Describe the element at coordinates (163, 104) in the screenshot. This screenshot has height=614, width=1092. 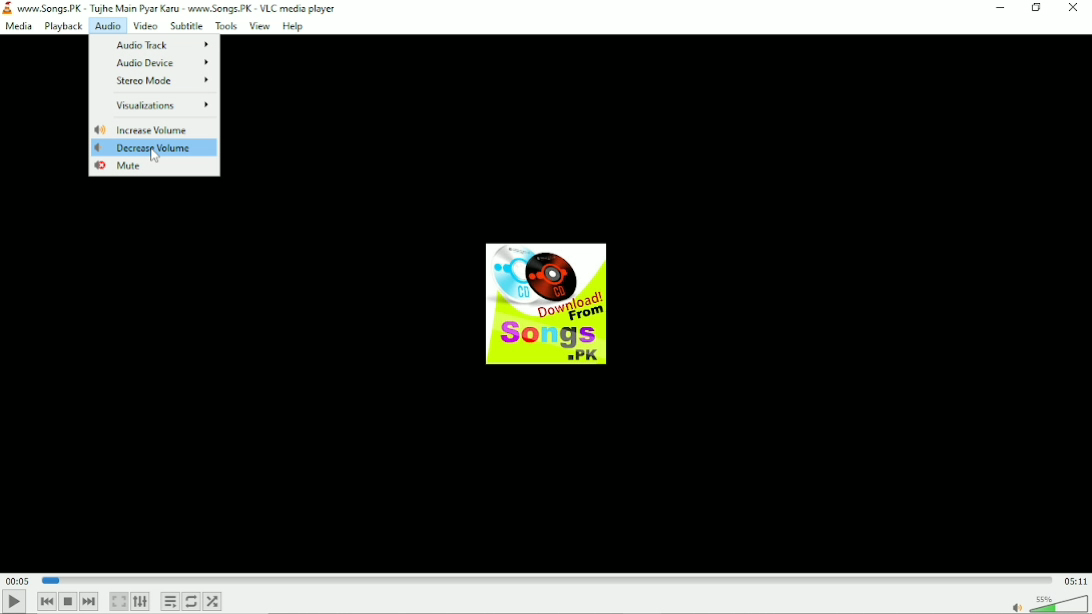
I see `Visualizations` at that location.